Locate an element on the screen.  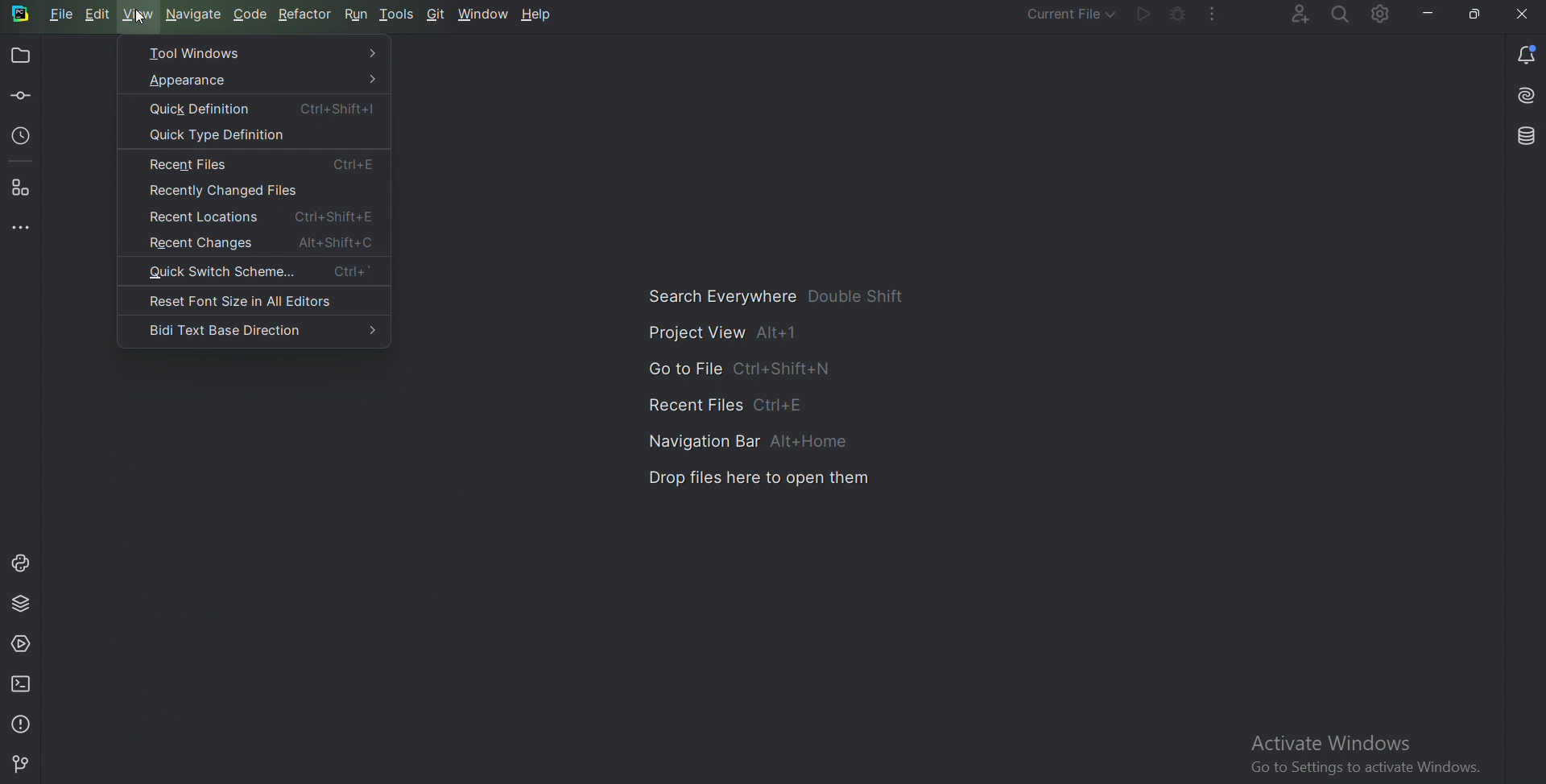
Search Everywhere is located at coordinates (784, 295).